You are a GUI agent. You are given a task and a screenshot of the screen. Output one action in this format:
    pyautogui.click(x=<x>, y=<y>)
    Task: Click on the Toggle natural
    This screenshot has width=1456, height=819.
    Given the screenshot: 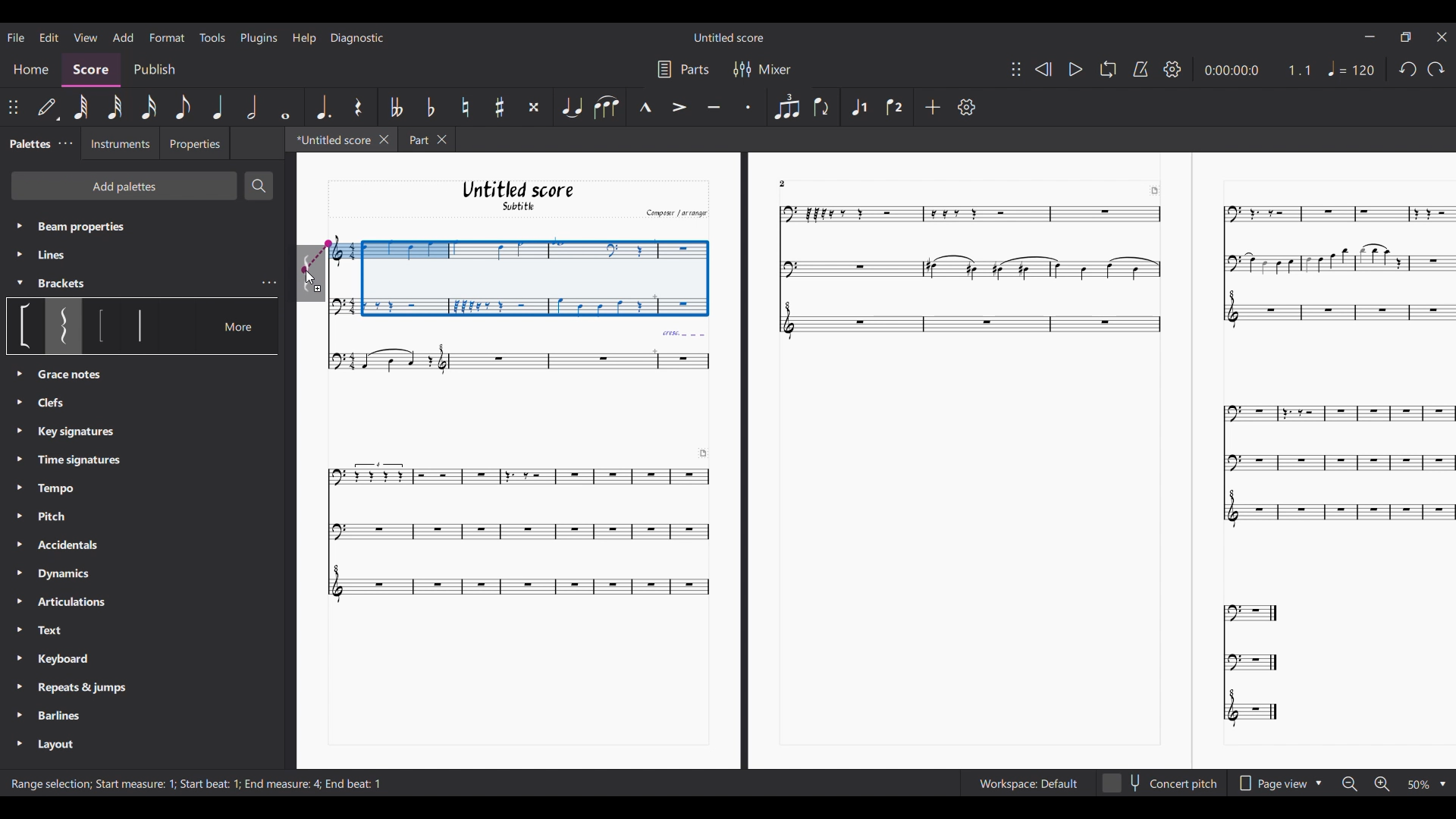 What is the action you would take?
    pyautogui.click(x=465, y=107)
    